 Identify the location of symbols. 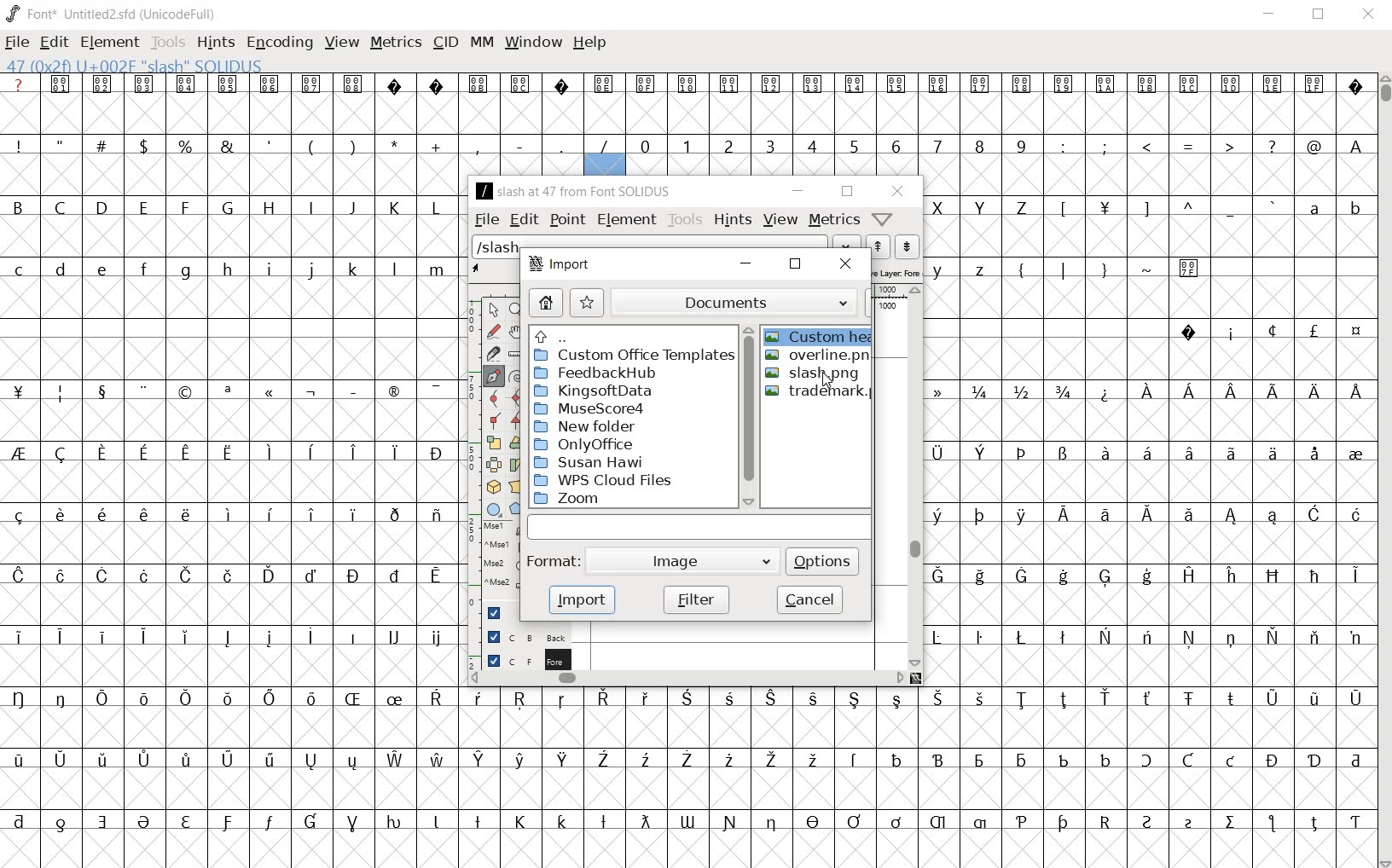
(316, 144).